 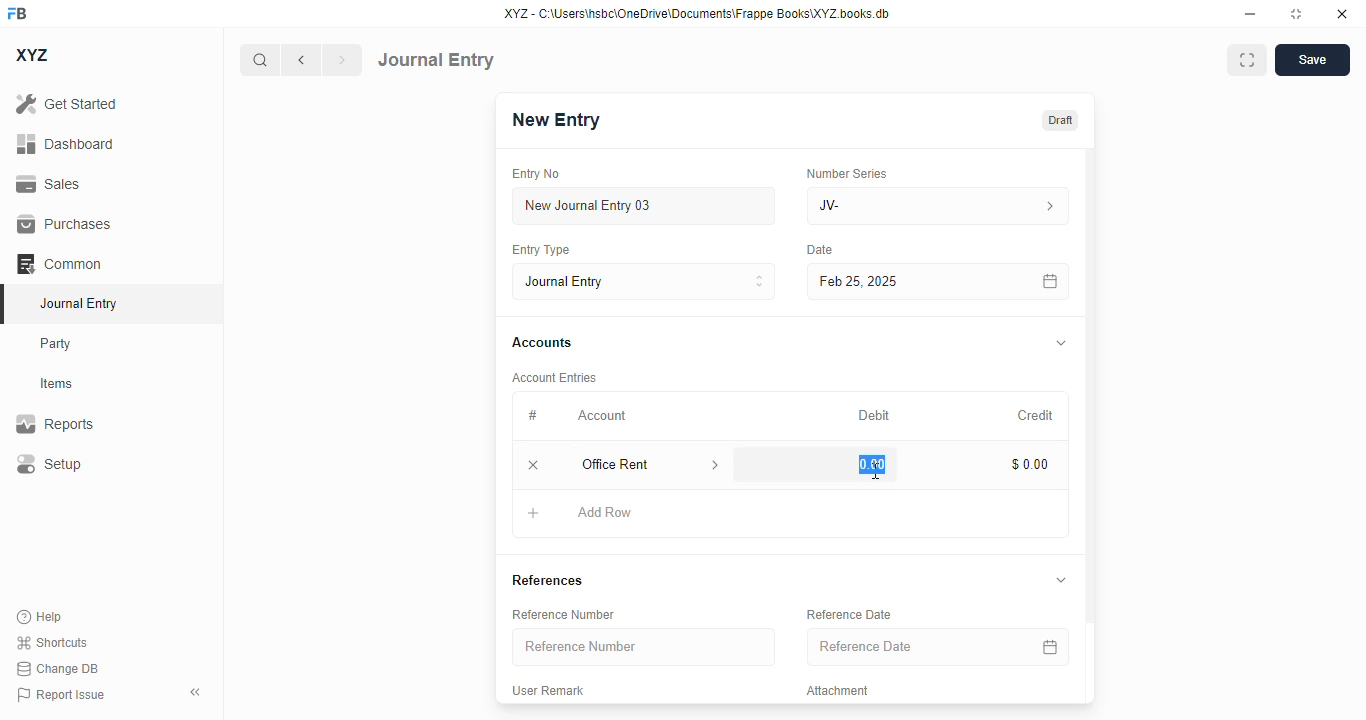 I want to click on office rent, so click(x=631, y=464).